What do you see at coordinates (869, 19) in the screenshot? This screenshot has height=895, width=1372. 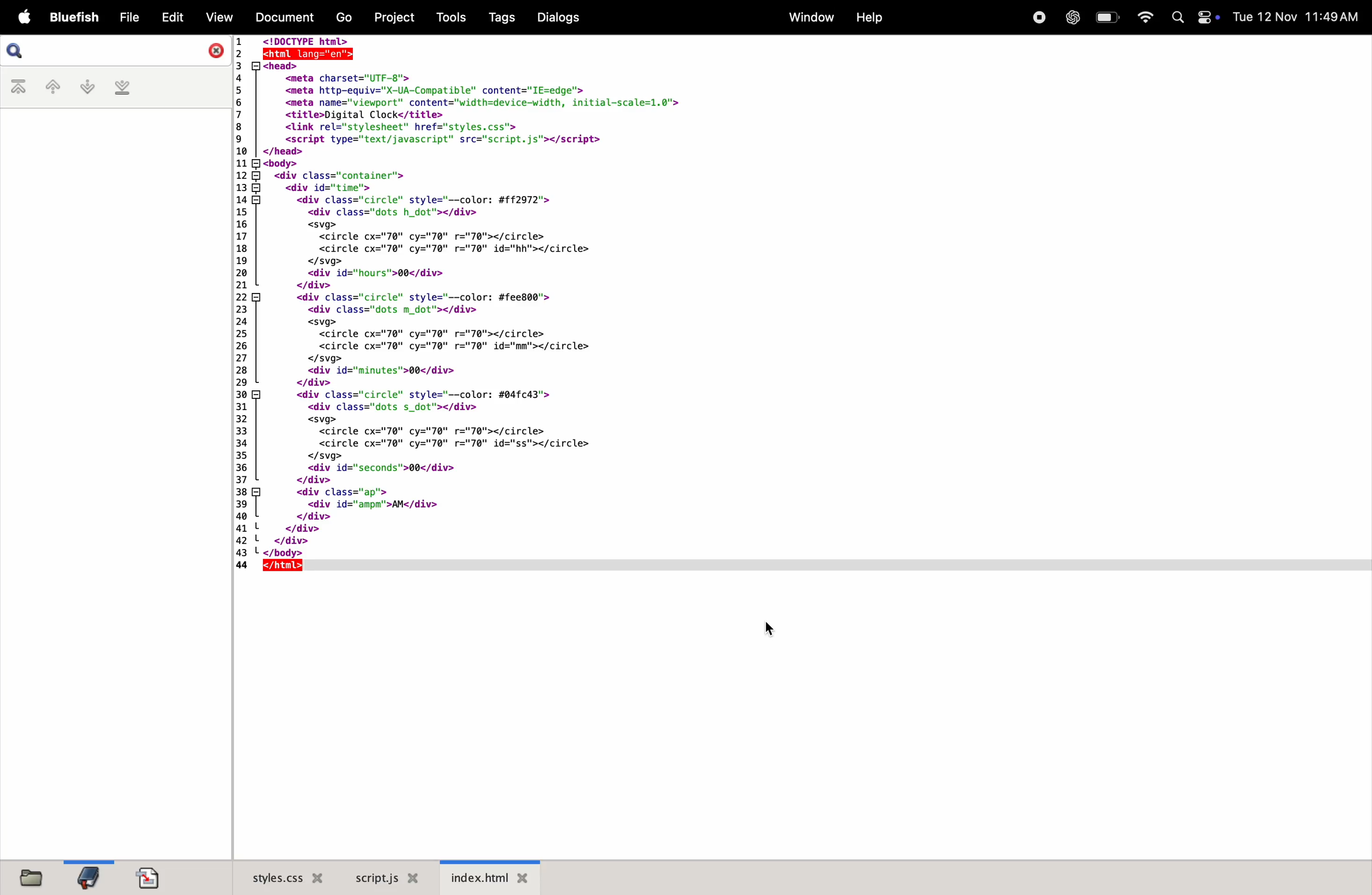 I see `help` at bounding box center [869, 19].